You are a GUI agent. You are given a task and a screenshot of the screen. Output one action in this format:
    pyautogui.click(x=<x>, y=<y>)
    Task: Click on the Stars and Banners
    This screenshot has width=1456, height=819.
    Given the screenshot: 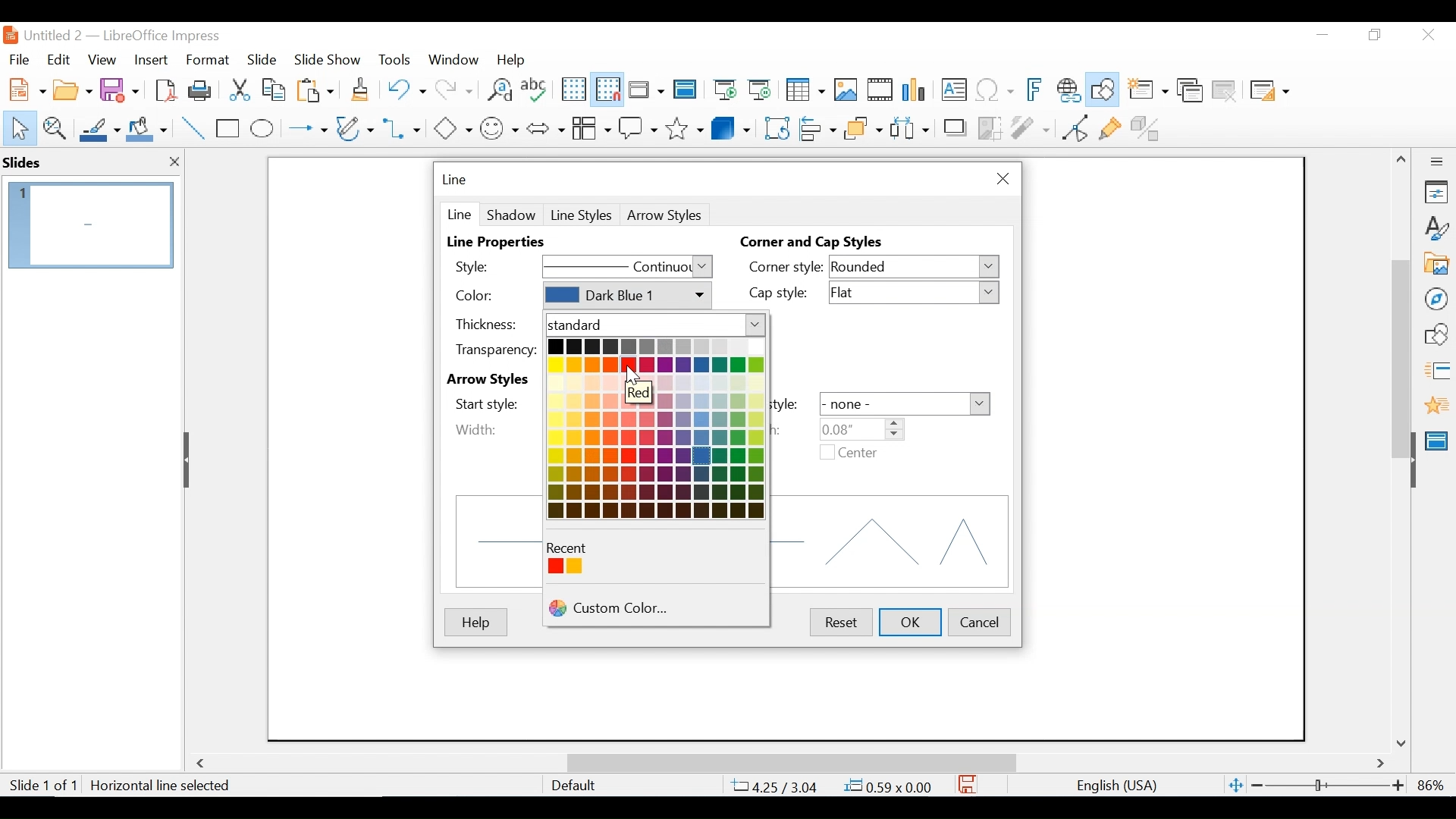 What is the action you would take?
    pyautogui.click(x=686, y=126)
    